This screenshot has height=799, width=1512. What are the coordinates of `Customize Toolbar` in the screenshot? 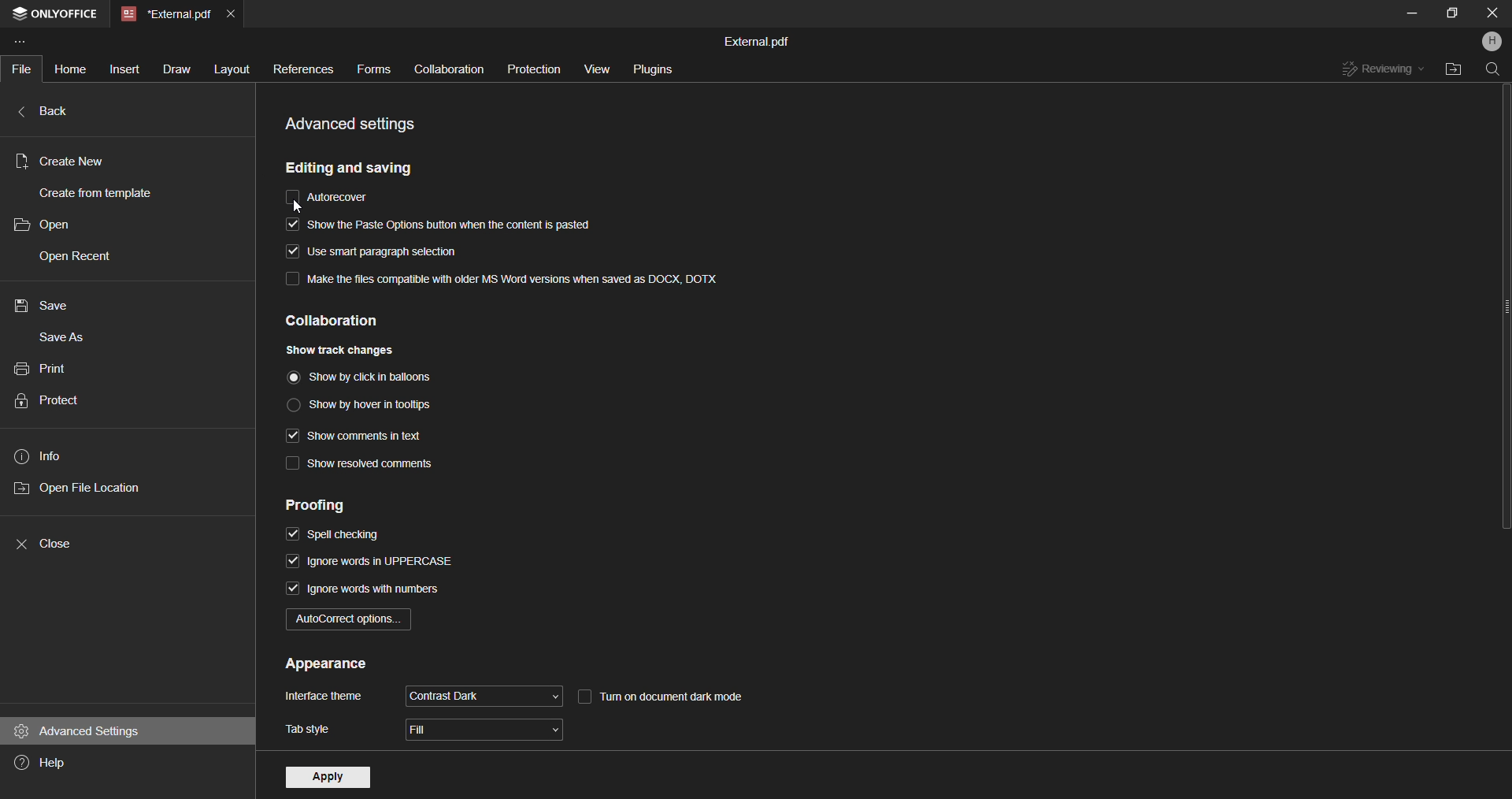 It's located at (26, 44).